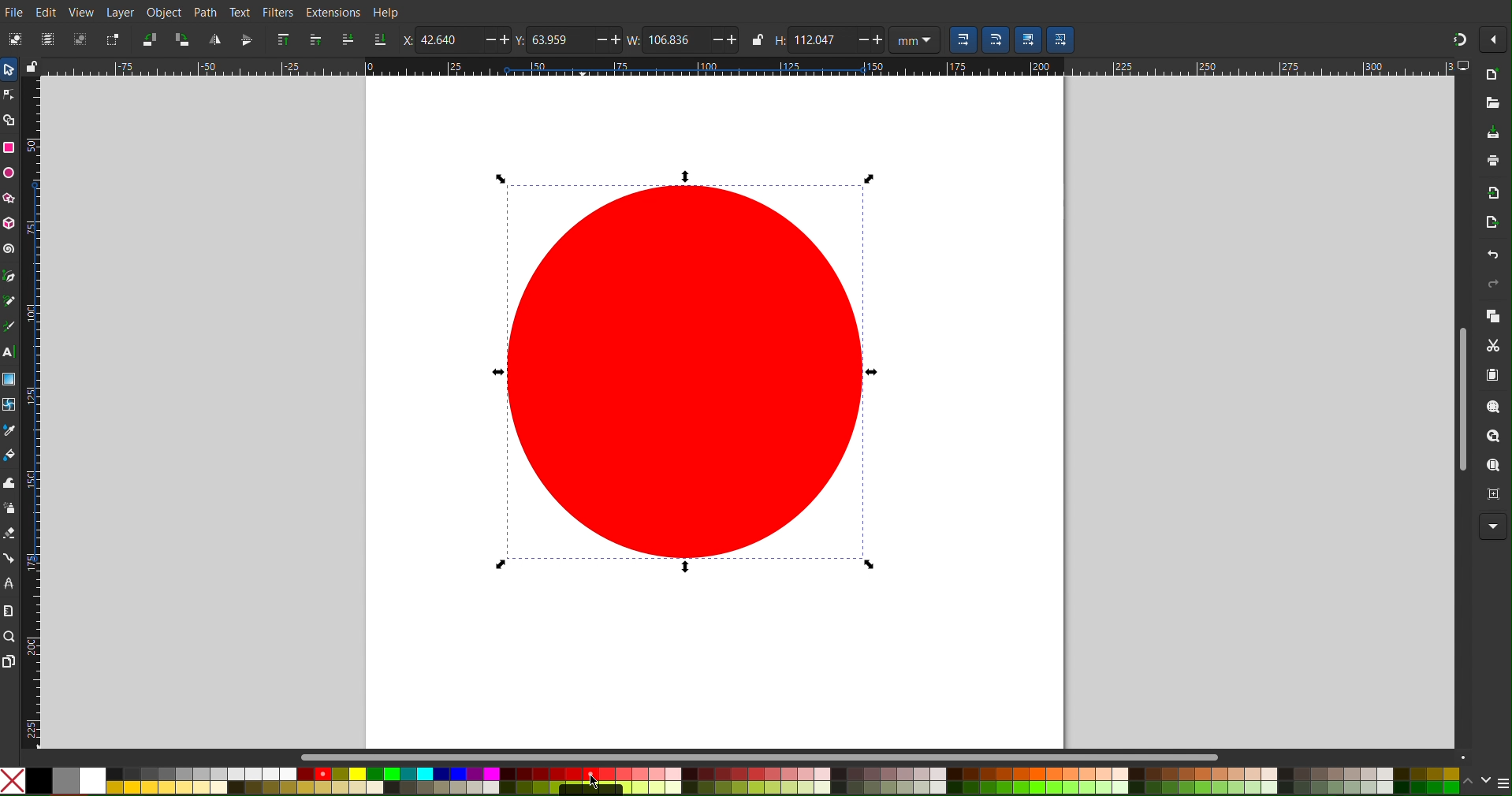 This screenshot has width=1512, height=796. What do you see at coordinates (9, 95) in the screenshot?
I see `Node Tool` at bounding box center [9, 95].